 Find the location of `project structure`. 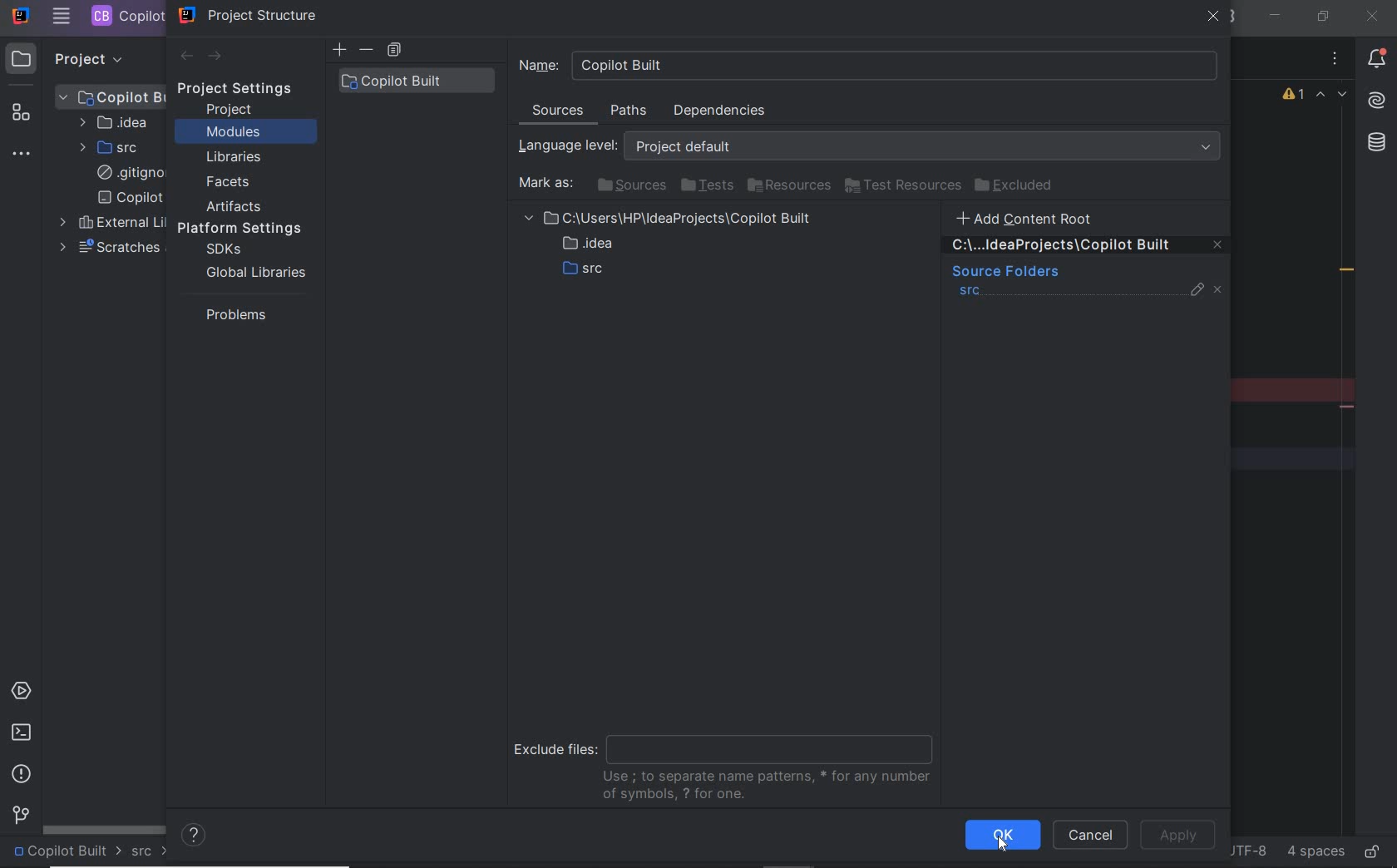

project structure is located at coordinates (249, 15).